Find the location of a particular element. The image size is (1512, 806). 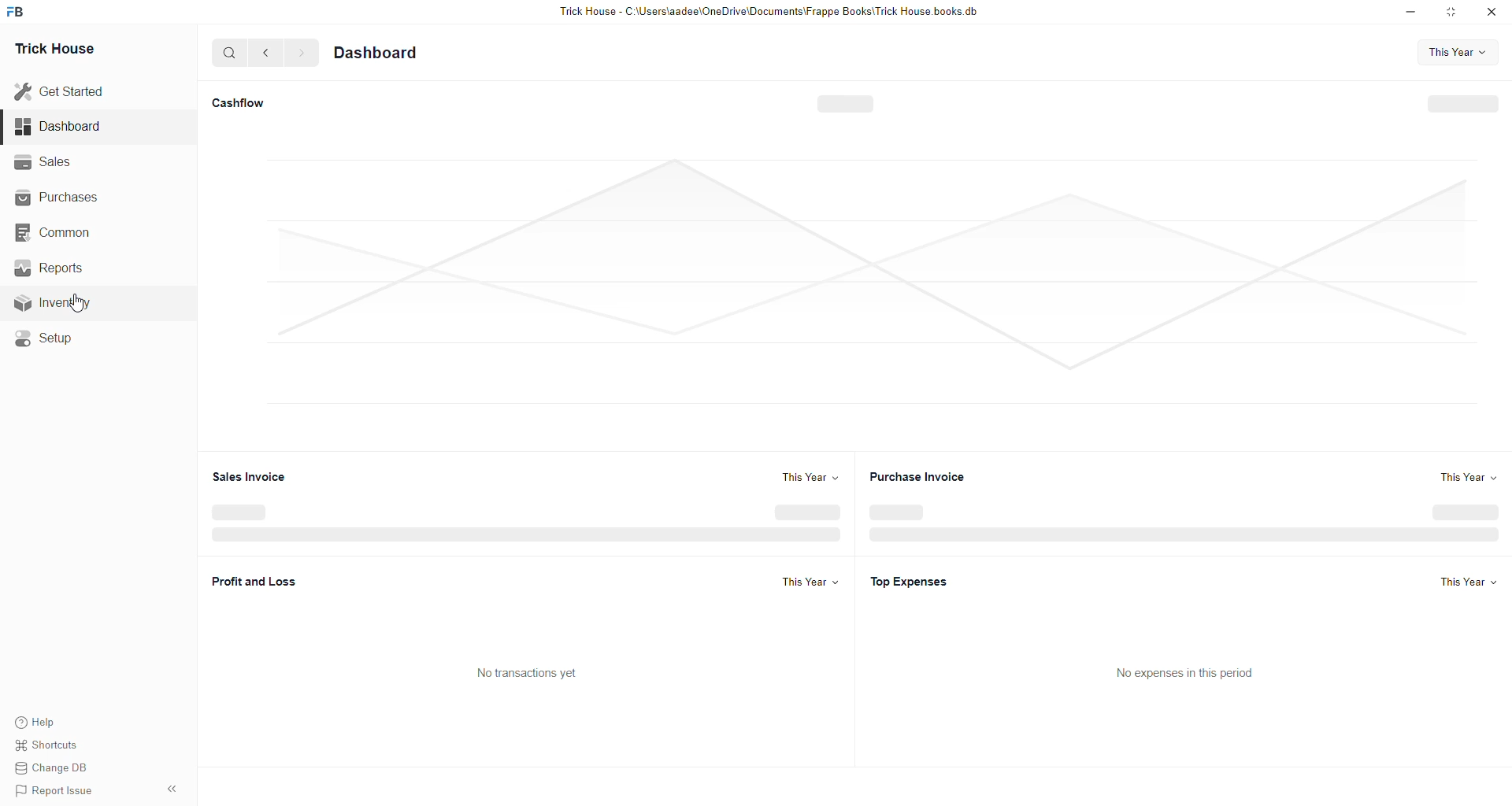

This year is located at coordinates (1462, 53).